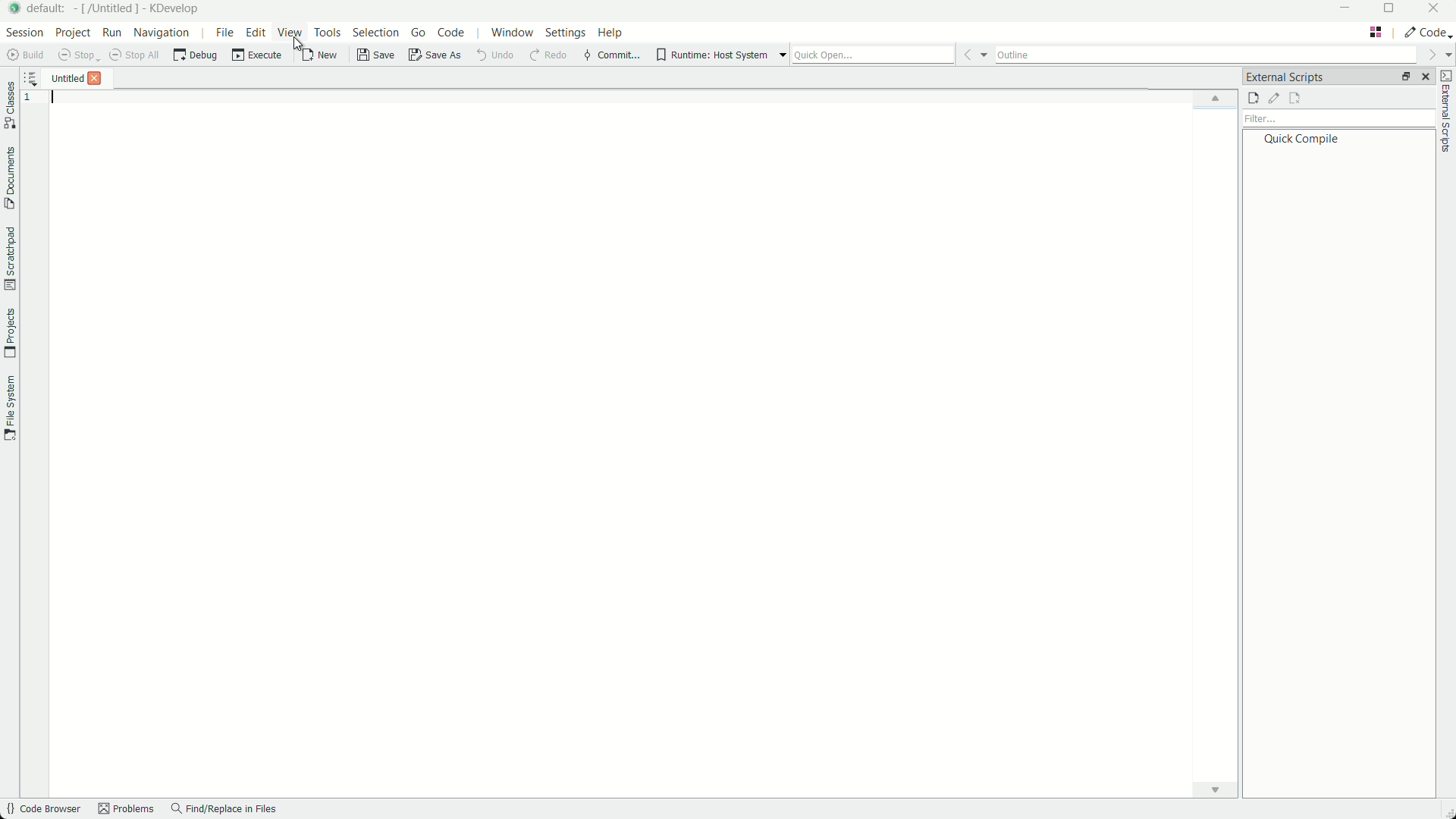 This screenshot has width=1456, height=819. I want to click on execute actions to change the area, so click(1428, 34).